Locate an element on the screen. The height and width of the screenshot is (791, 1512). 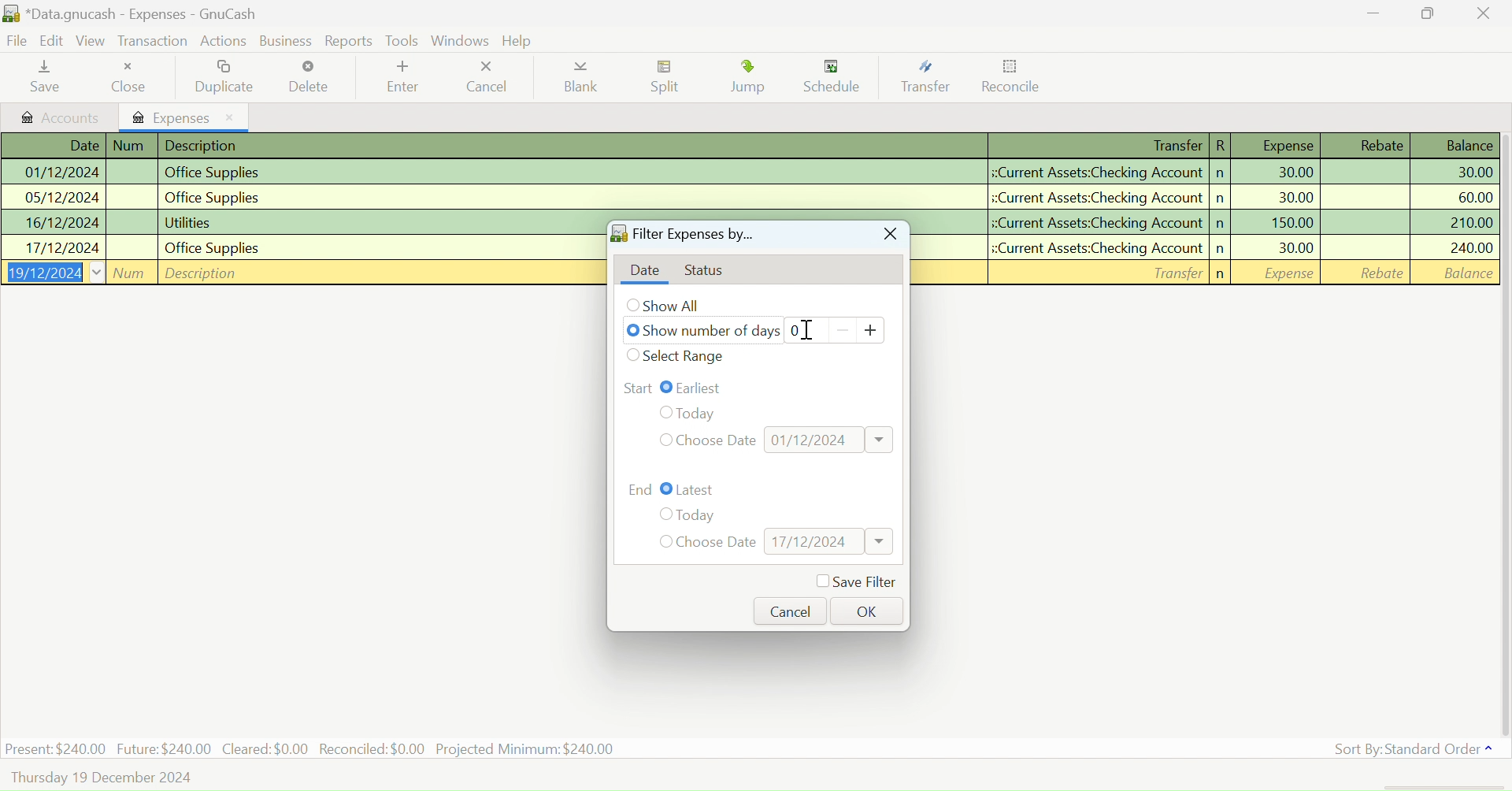
Present: $240.00 Future:$240.00 Cleared: $0.00 Reconciled: $0.00 Projected Minimum: $240.00 is located at coordinates (312, 748).